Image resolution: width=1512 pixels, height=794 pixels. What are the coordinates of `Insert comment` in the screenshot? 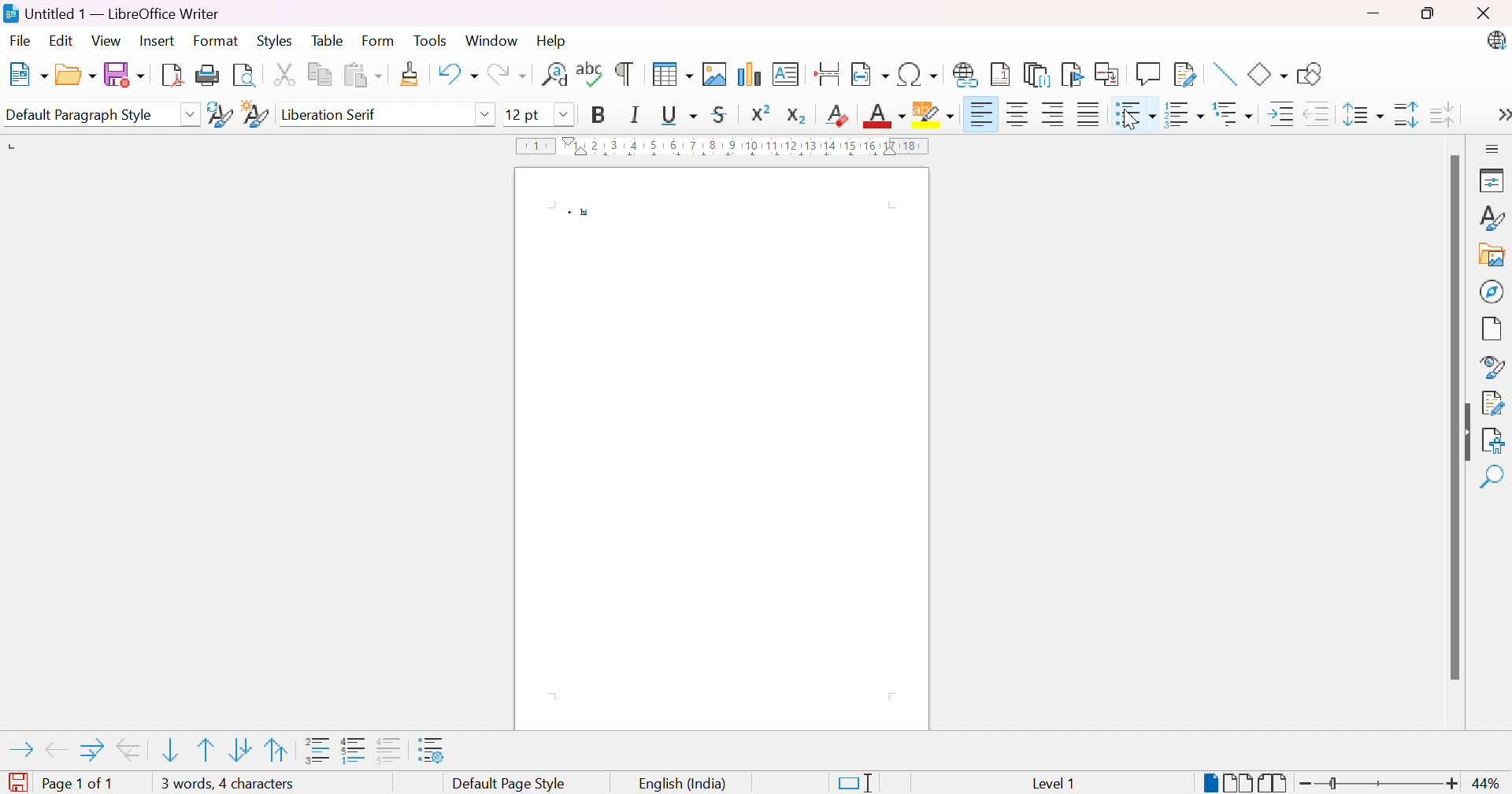 It's located at (1148, 73).